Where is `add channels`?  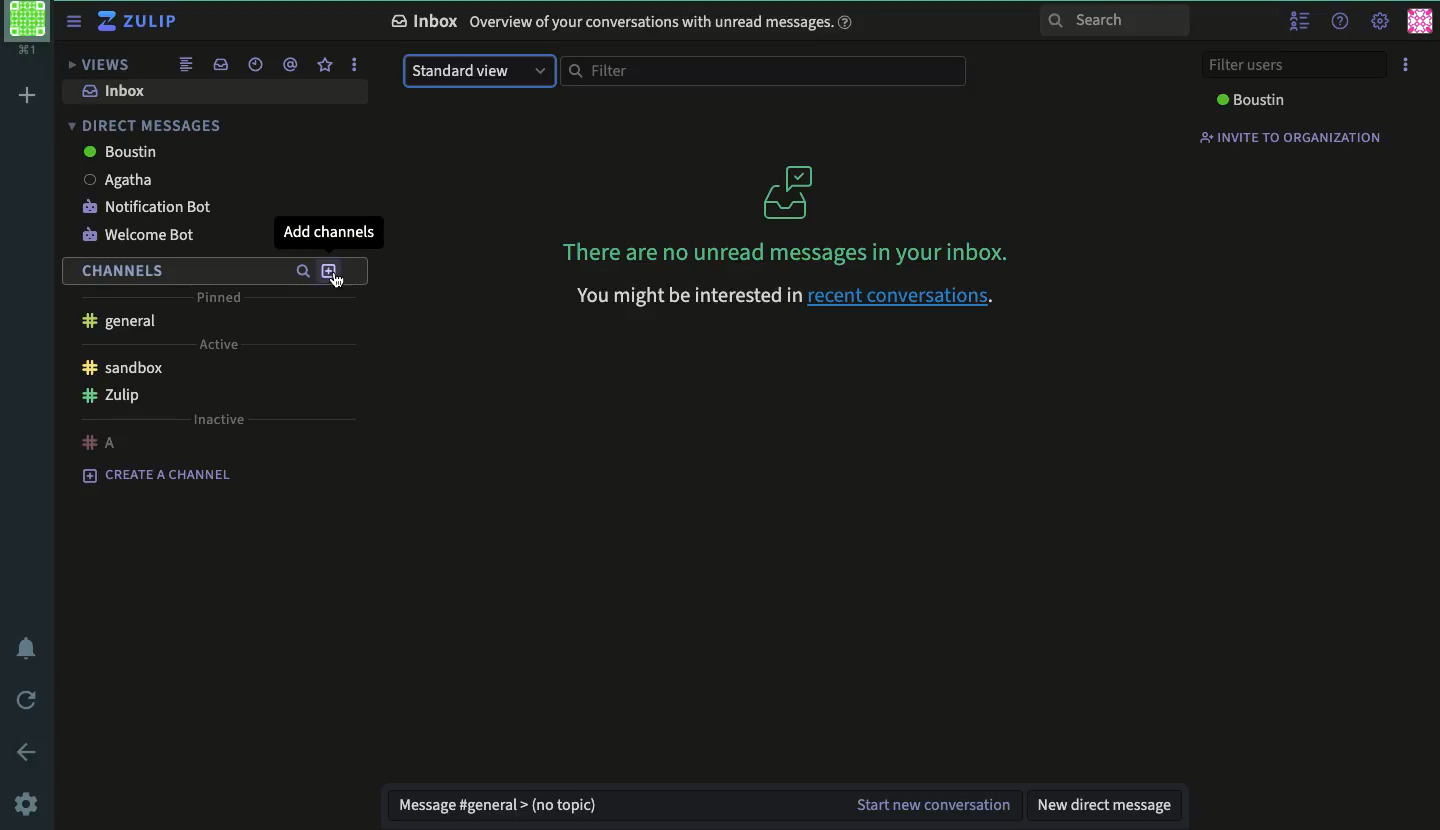 add channels is located at coordinates (332, 273).